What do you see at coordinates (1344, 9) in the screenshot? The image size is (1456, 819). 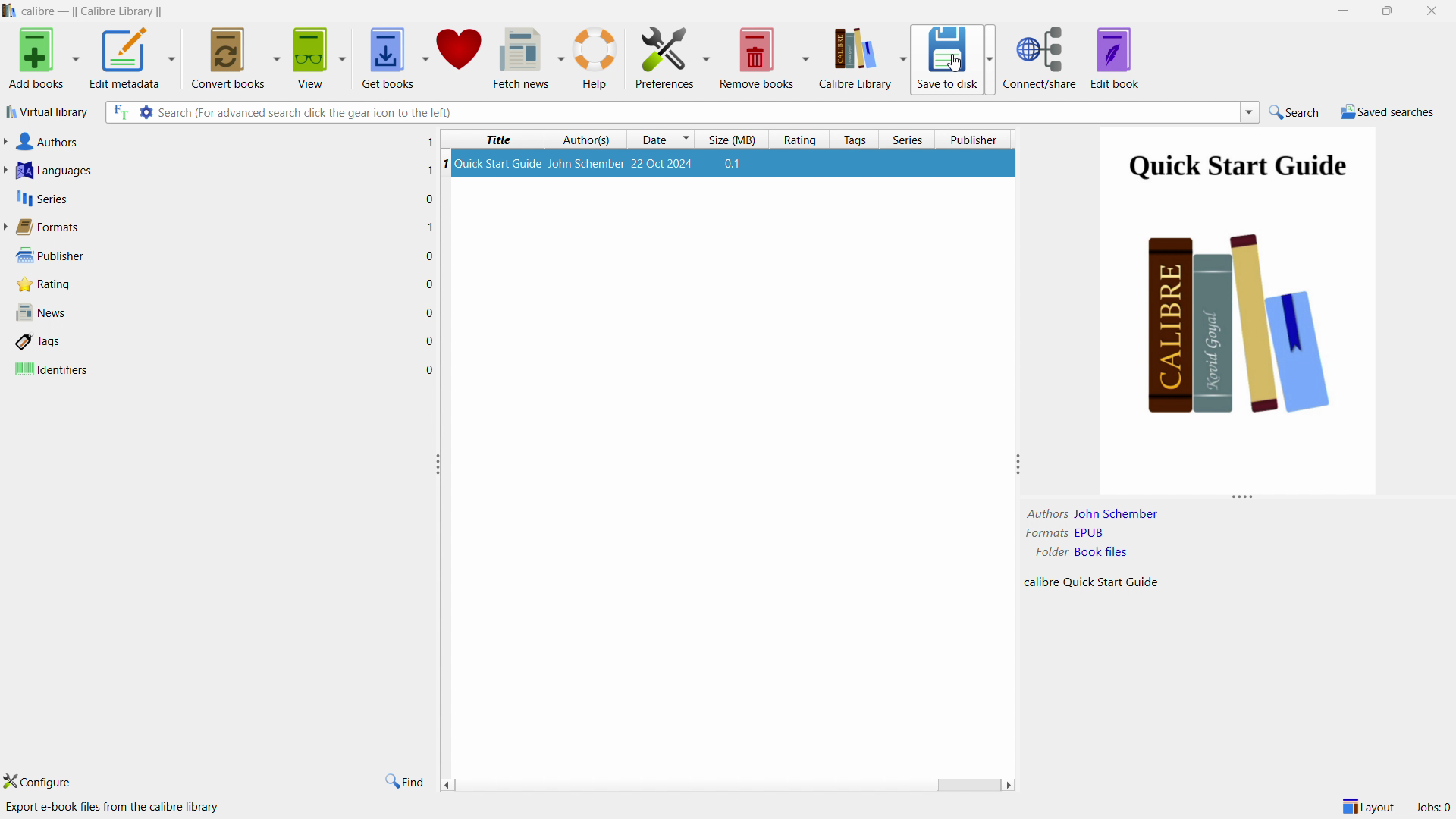 I see `minimize` at bounding box center [1344, 9].